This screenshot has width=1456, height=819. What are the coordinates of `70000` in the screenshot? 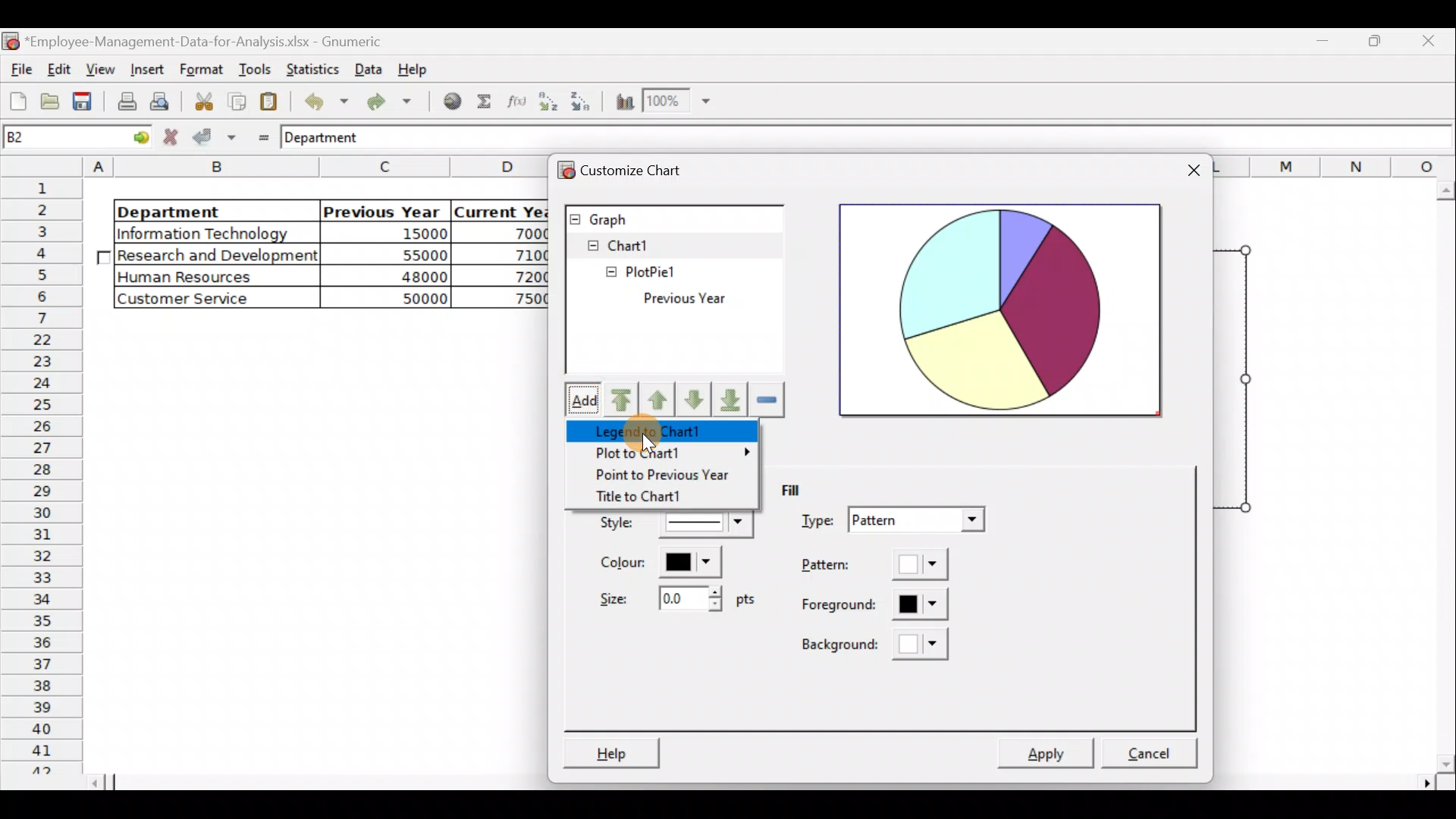 It's located at (518, 233).